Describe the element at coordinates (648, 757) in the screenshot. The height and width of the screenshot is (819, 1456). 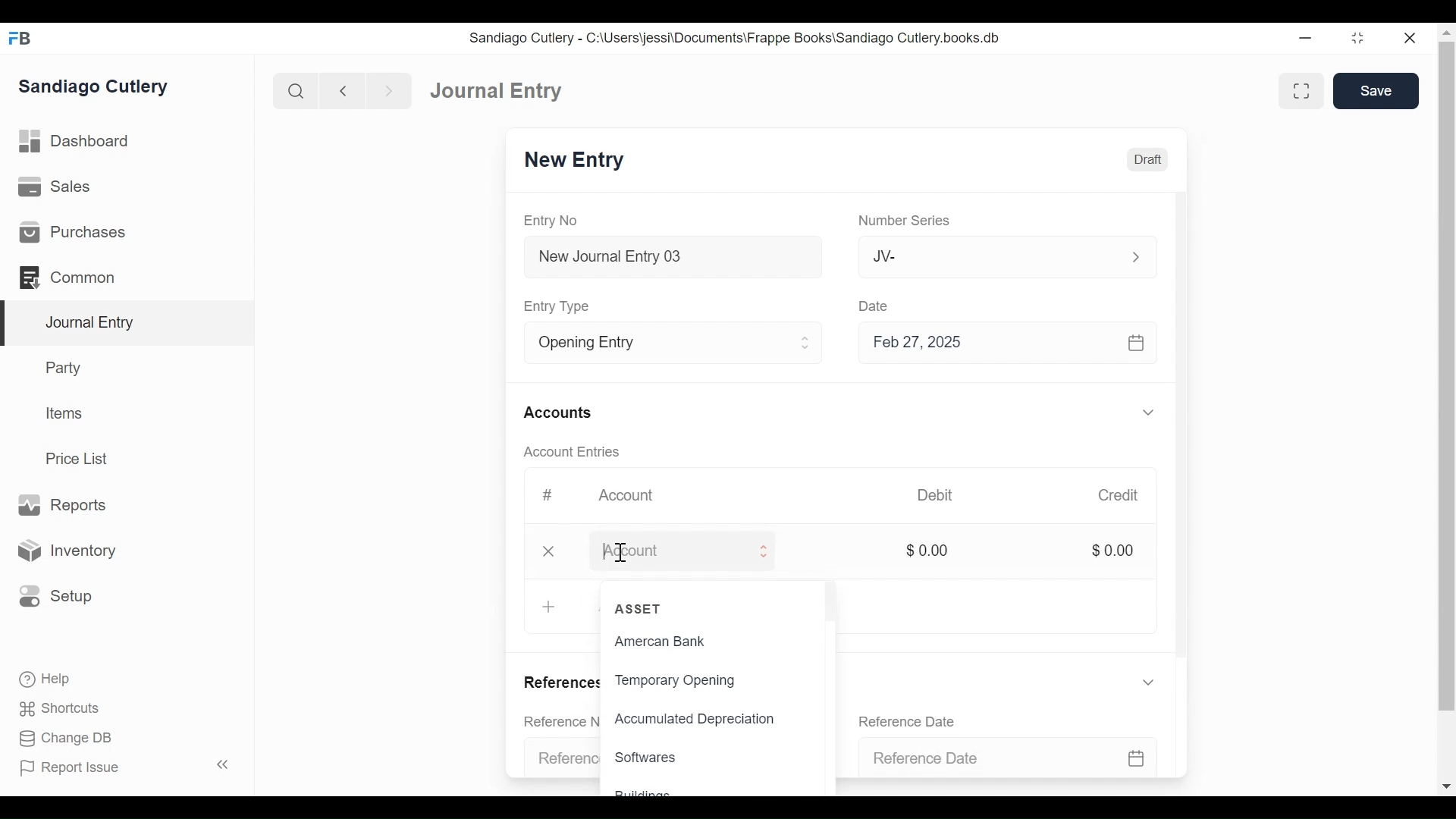
I see `Softwares` at that location.